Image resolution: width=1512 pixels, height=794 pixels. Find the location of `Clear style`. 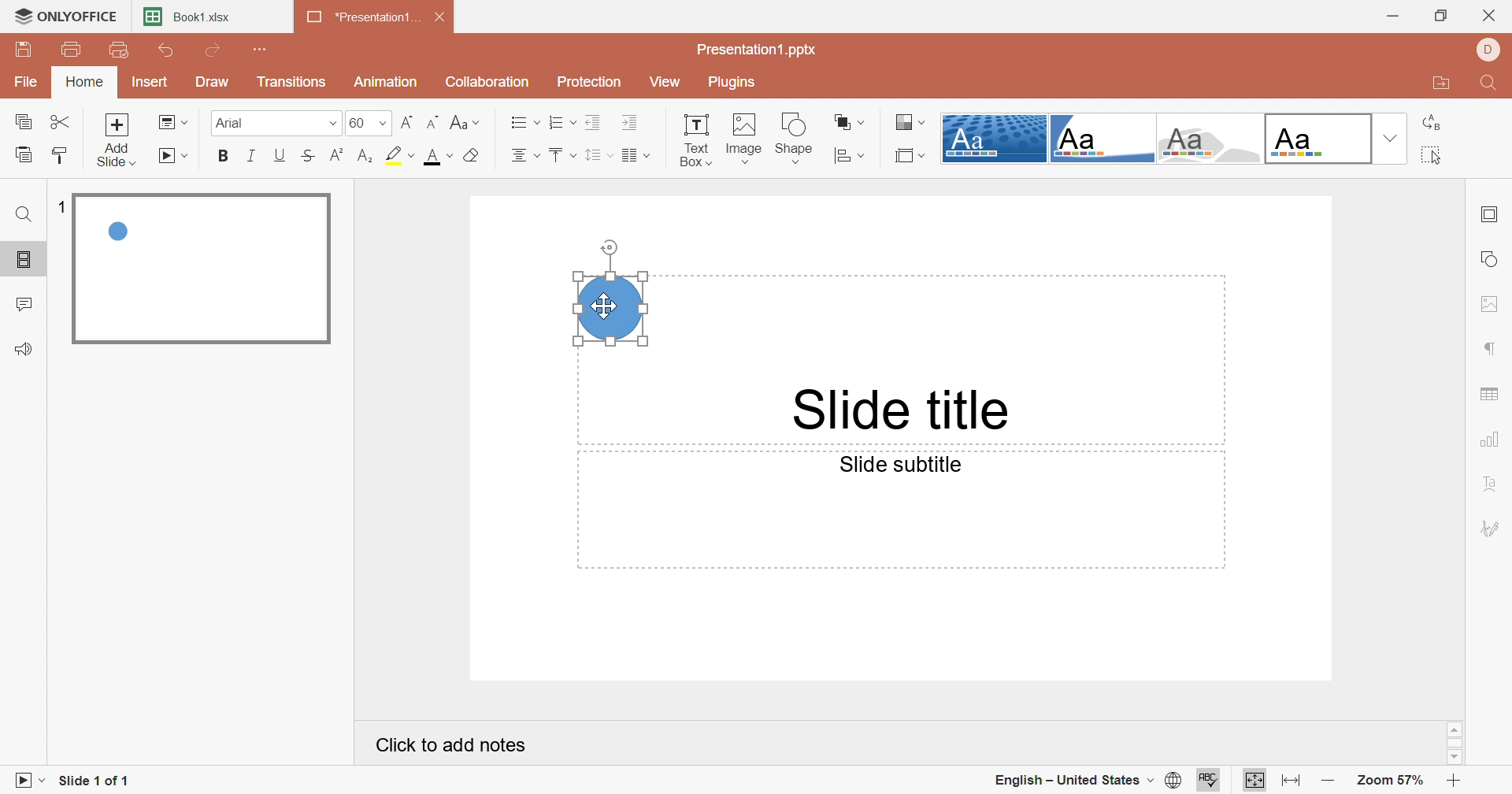

Clear style is located at coordinates (473, 157).